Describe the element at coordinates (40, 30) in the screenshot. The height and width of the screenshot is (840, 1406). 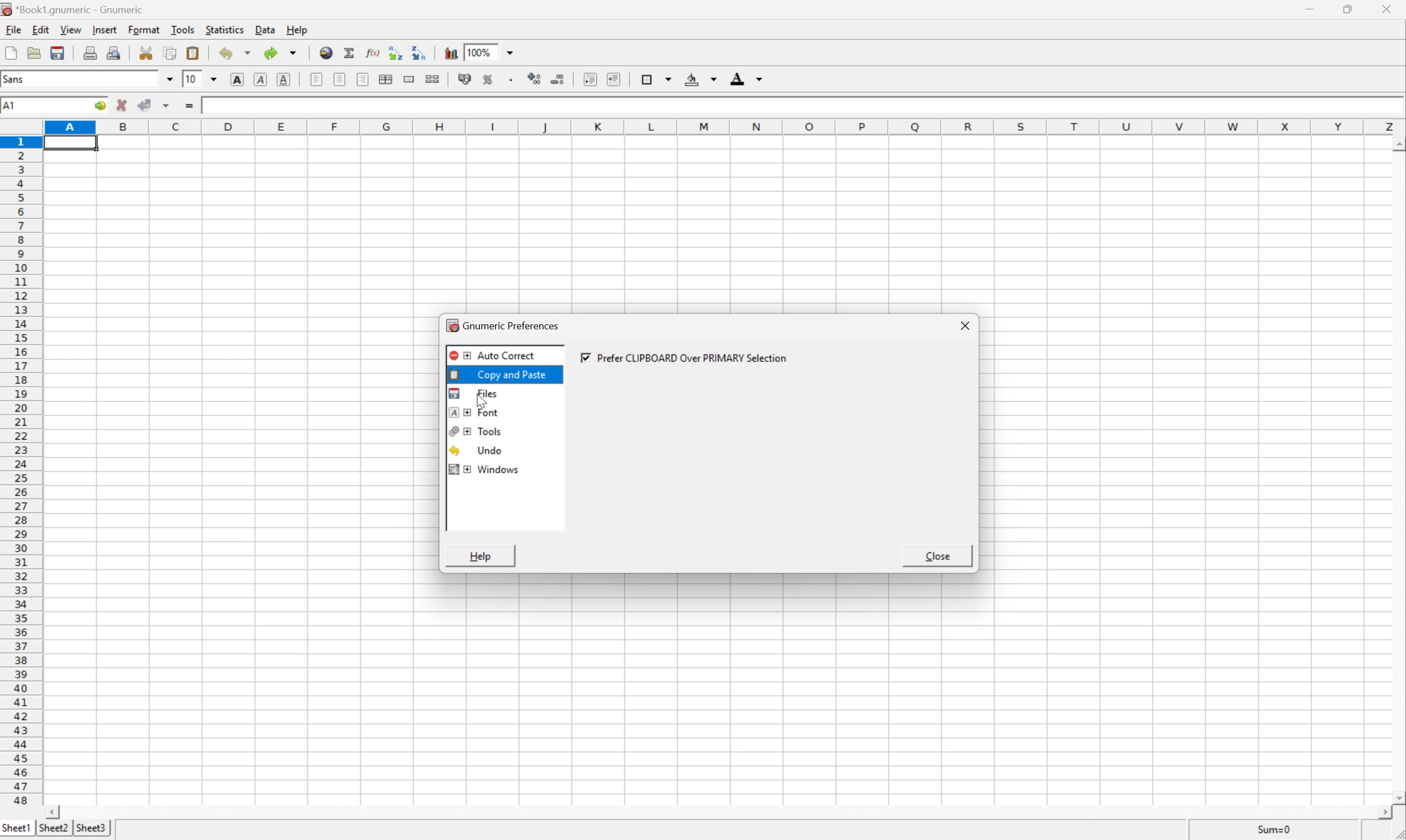
I see `edit` at that location.